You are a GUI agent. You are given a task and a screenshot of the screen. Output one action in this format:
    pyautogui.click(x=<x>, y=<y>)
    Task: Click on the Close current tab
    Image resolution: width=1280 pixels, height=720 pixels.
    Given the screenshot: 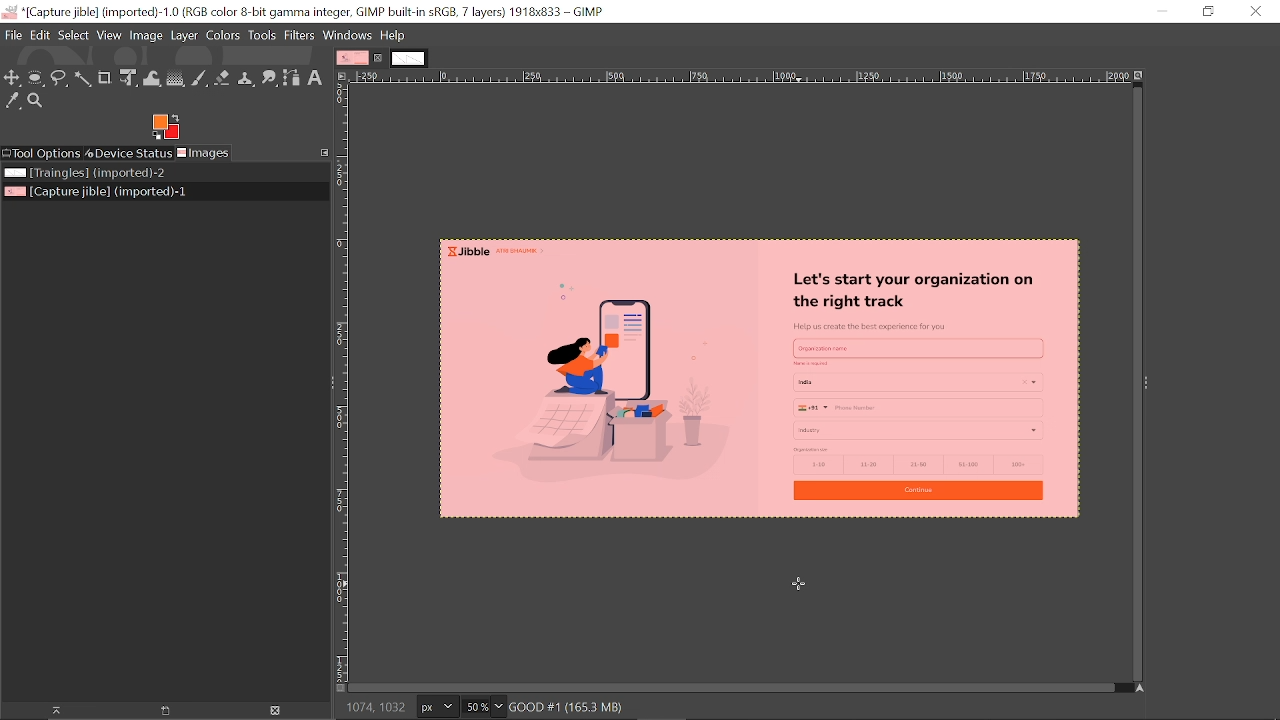 What is the action you would take?
    pyautogui.click(x=381, y=59)
    